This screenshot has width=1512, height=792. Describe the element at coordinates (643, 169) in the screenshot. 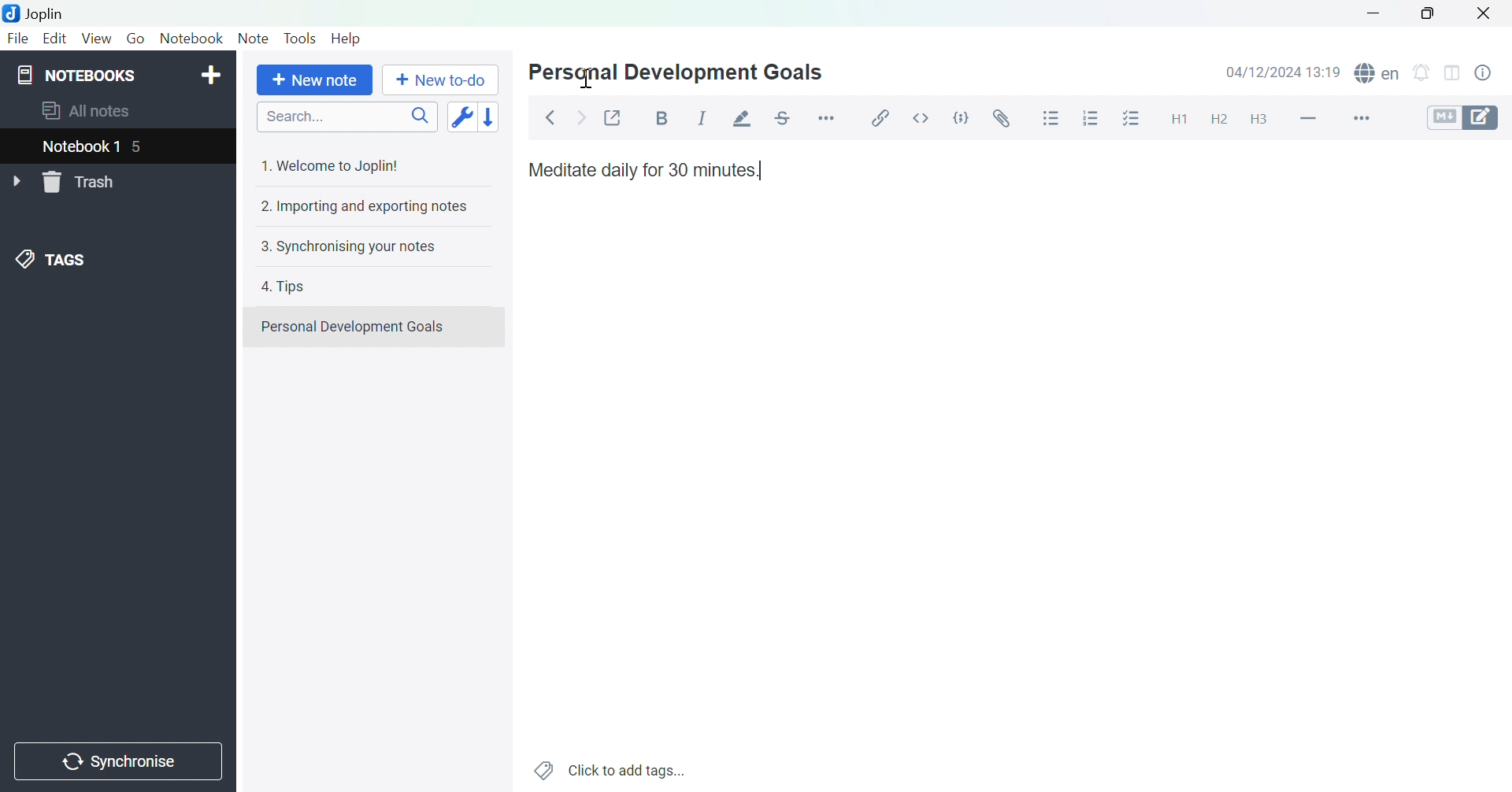

I see `Meditate daily for 30 minutes` at that location.